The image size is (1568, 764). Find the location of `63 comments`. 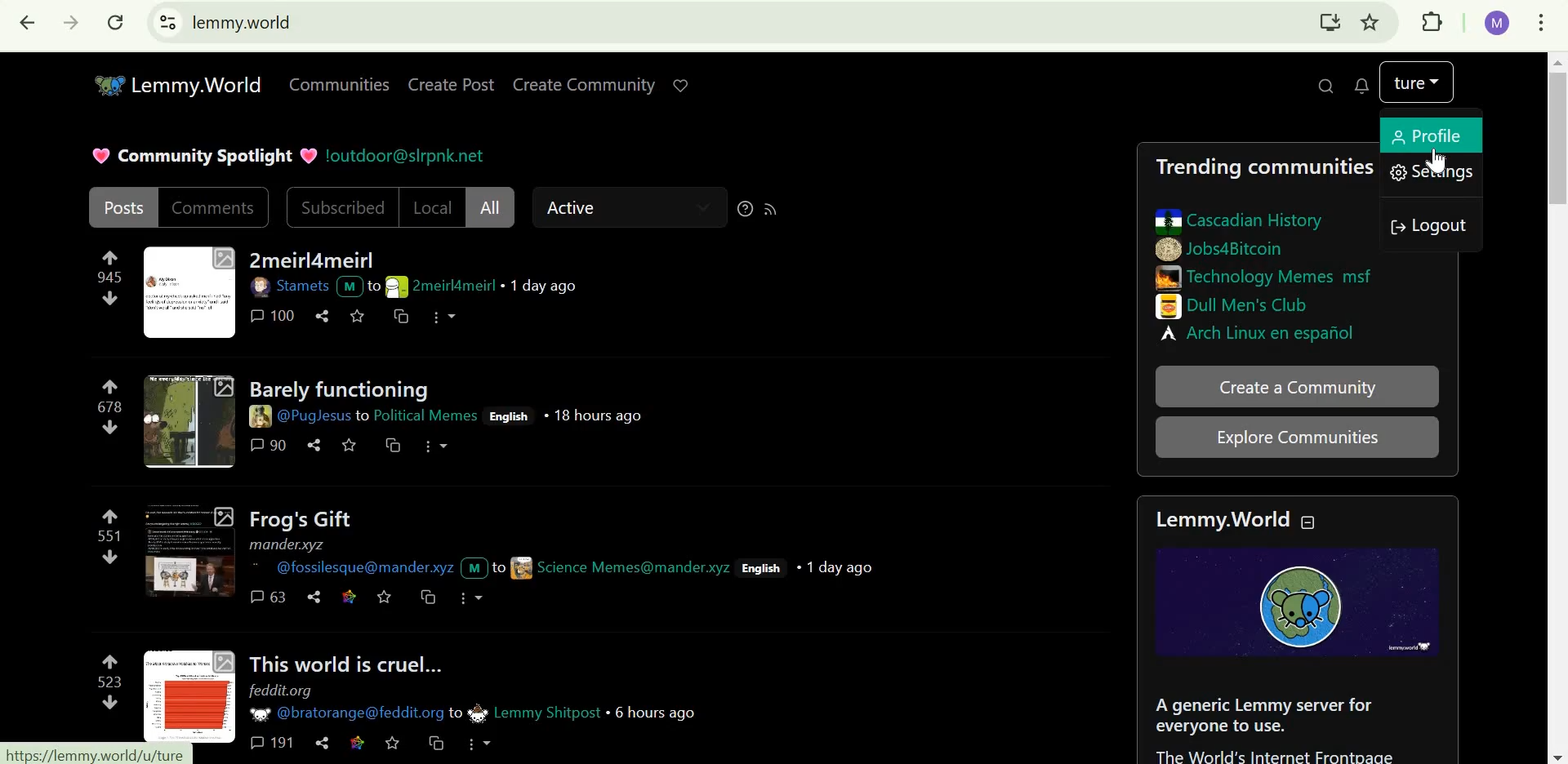

63 comments is located at coordinates (269, 597).